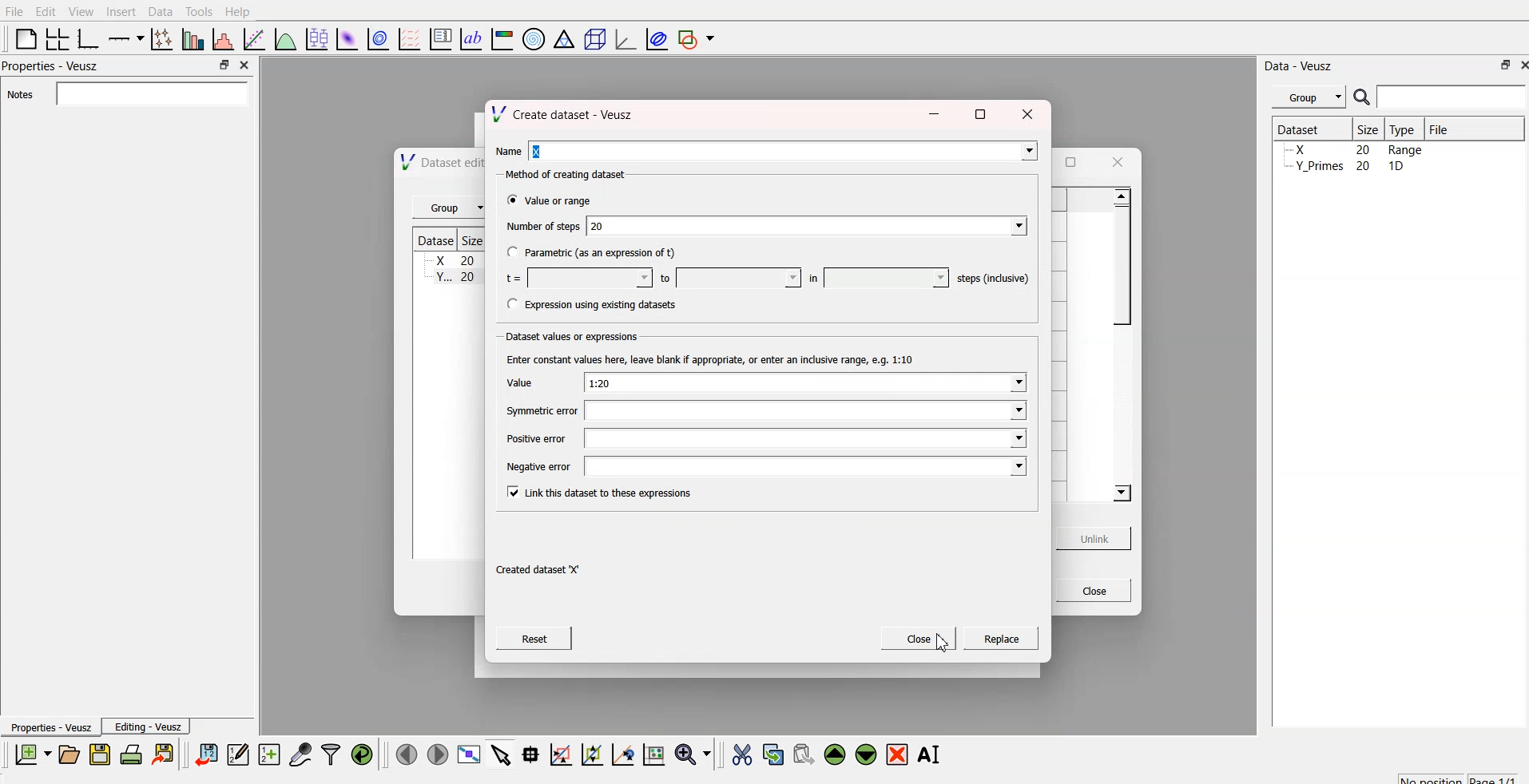  Describe the element at coordinates (82, 11) in the screenshot. I see `View` at that location.